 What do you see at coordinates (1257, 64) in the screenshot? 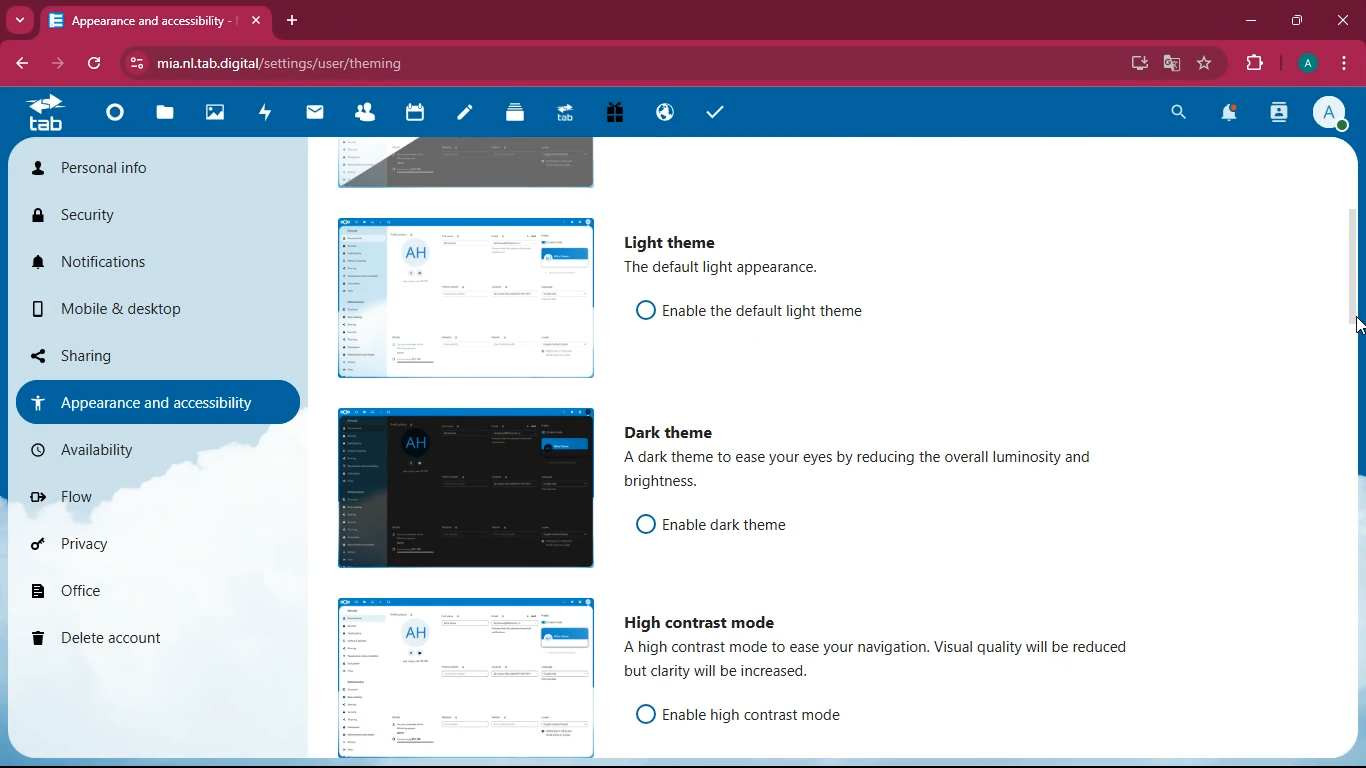
I see `extension` at bounding box center [1257, 64].